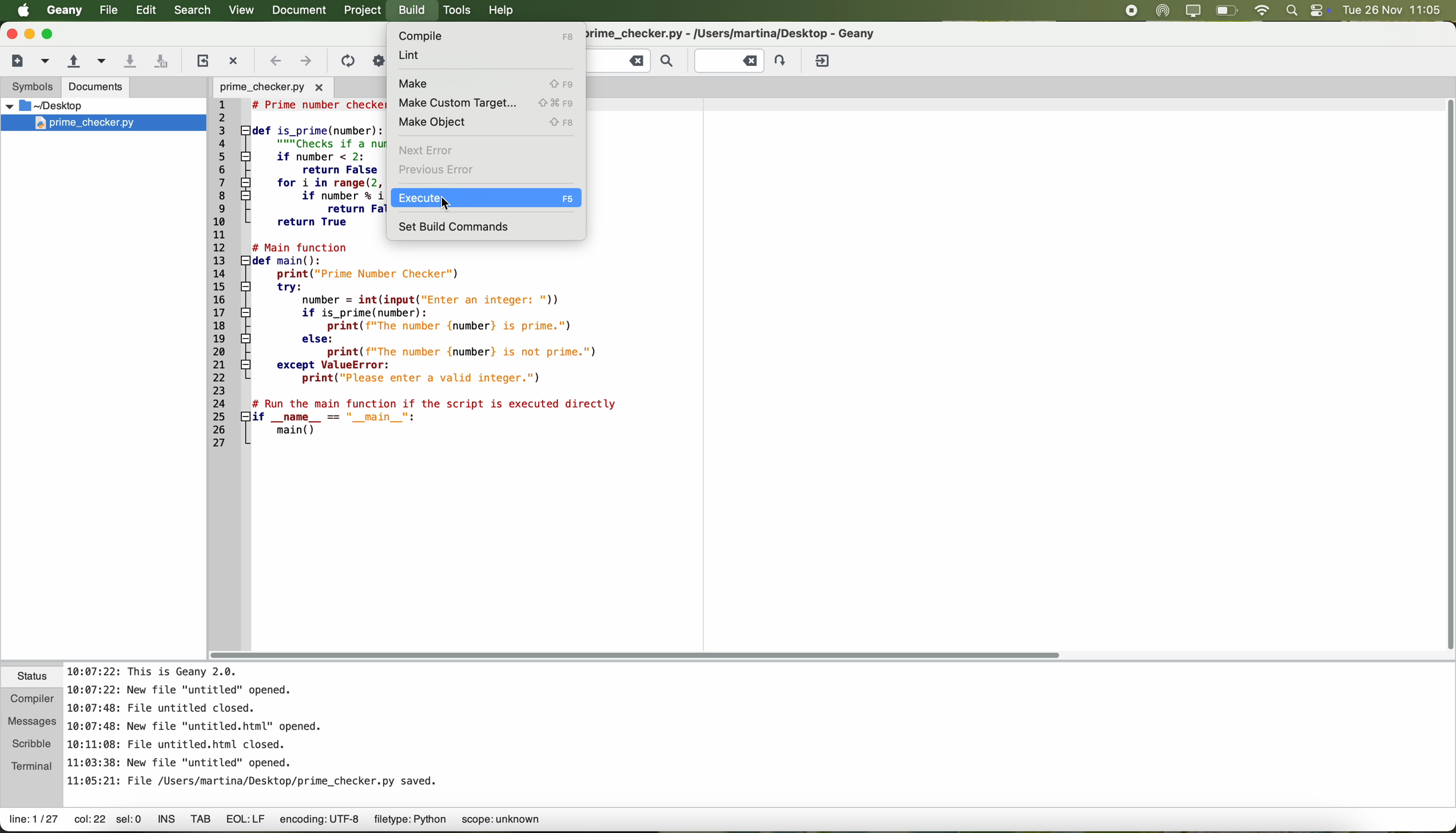 This screenshot has height=833, width=1456. What do you see at coordinates (1437, 375) in the screenshot?
I see `scroll bar` at bounding box center [1437, 375].